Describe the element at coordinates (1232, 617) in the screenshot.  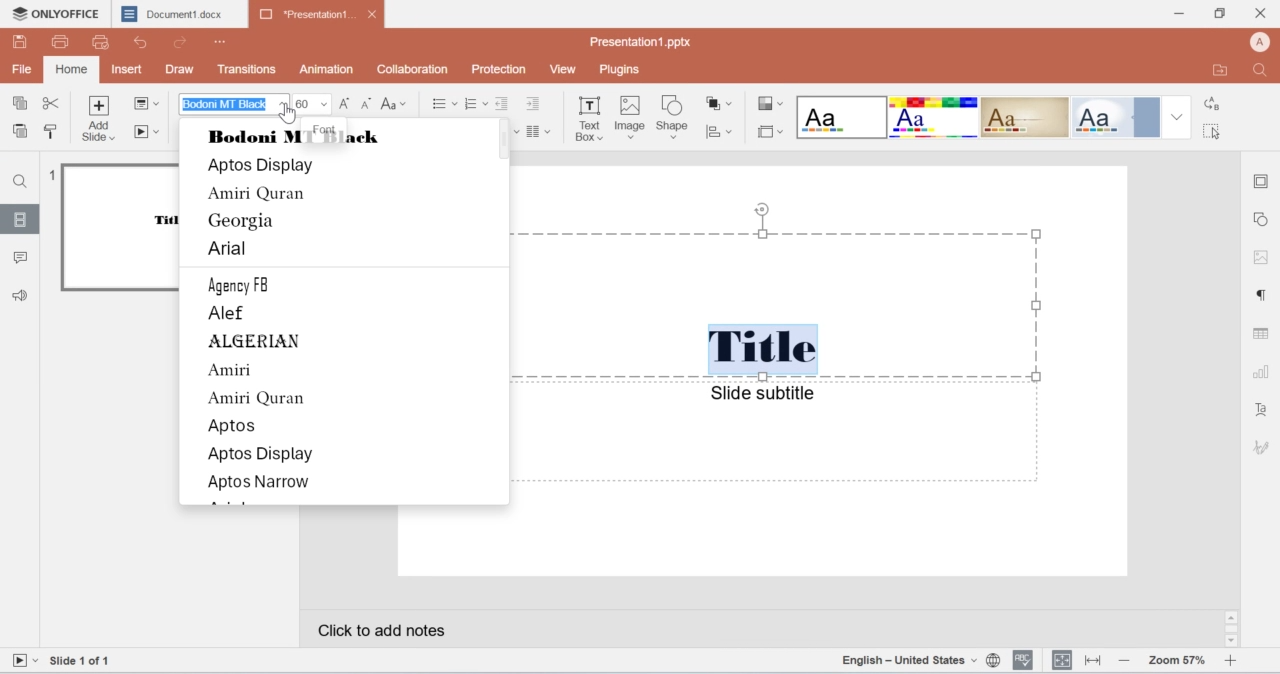
I see `scroll up` at that location.